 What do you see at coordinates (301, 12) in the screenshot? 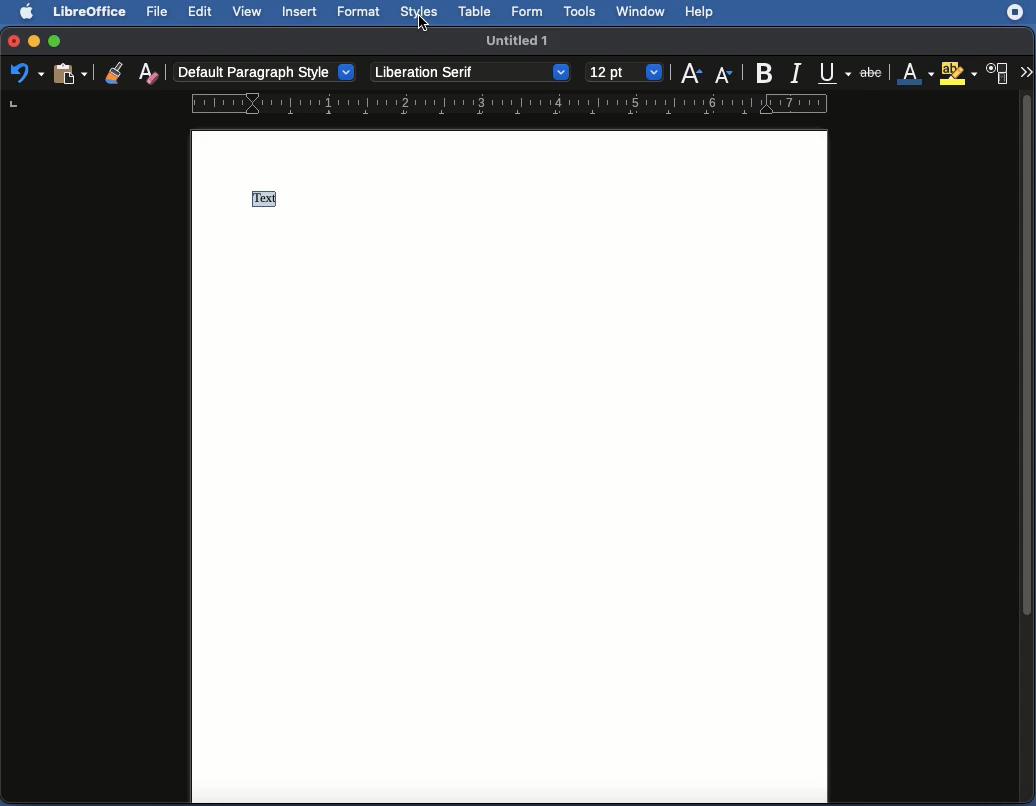
I see `Insert` at bounding box center [301, 12].